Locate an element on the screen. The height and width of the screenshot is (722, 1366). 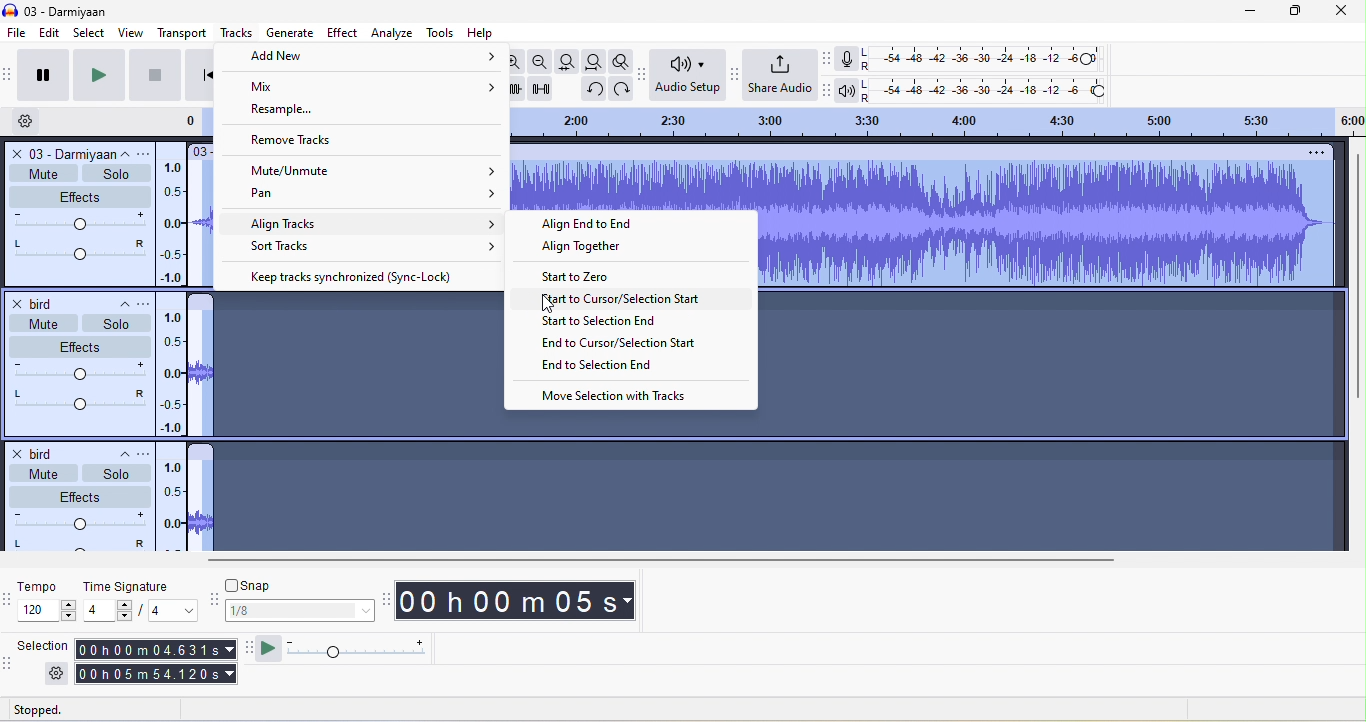
fit project to width is located at coordinates (596, 62).